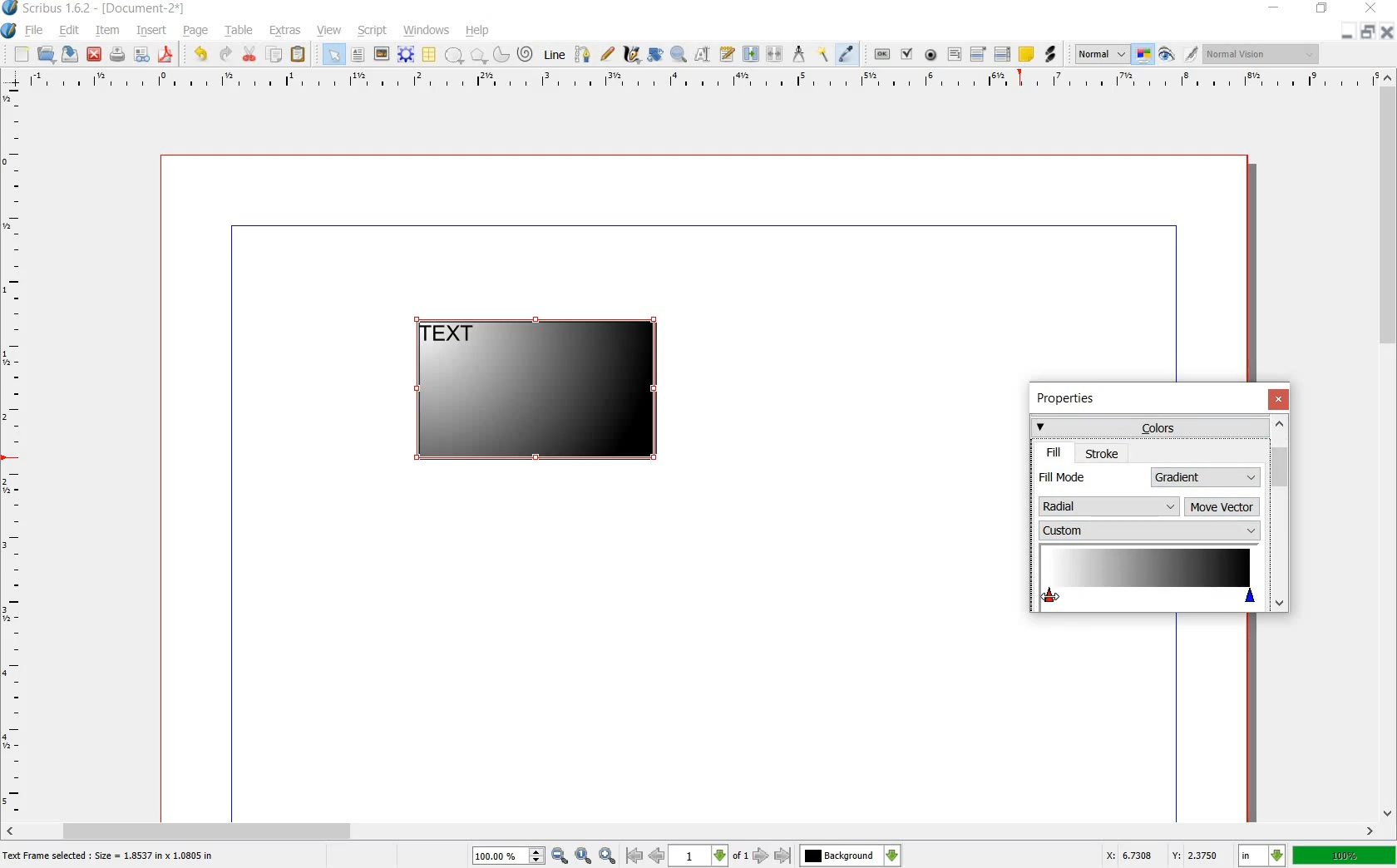 The height and width of the screenshot is (868, 1397). I want to click on close, so click(96, 54).